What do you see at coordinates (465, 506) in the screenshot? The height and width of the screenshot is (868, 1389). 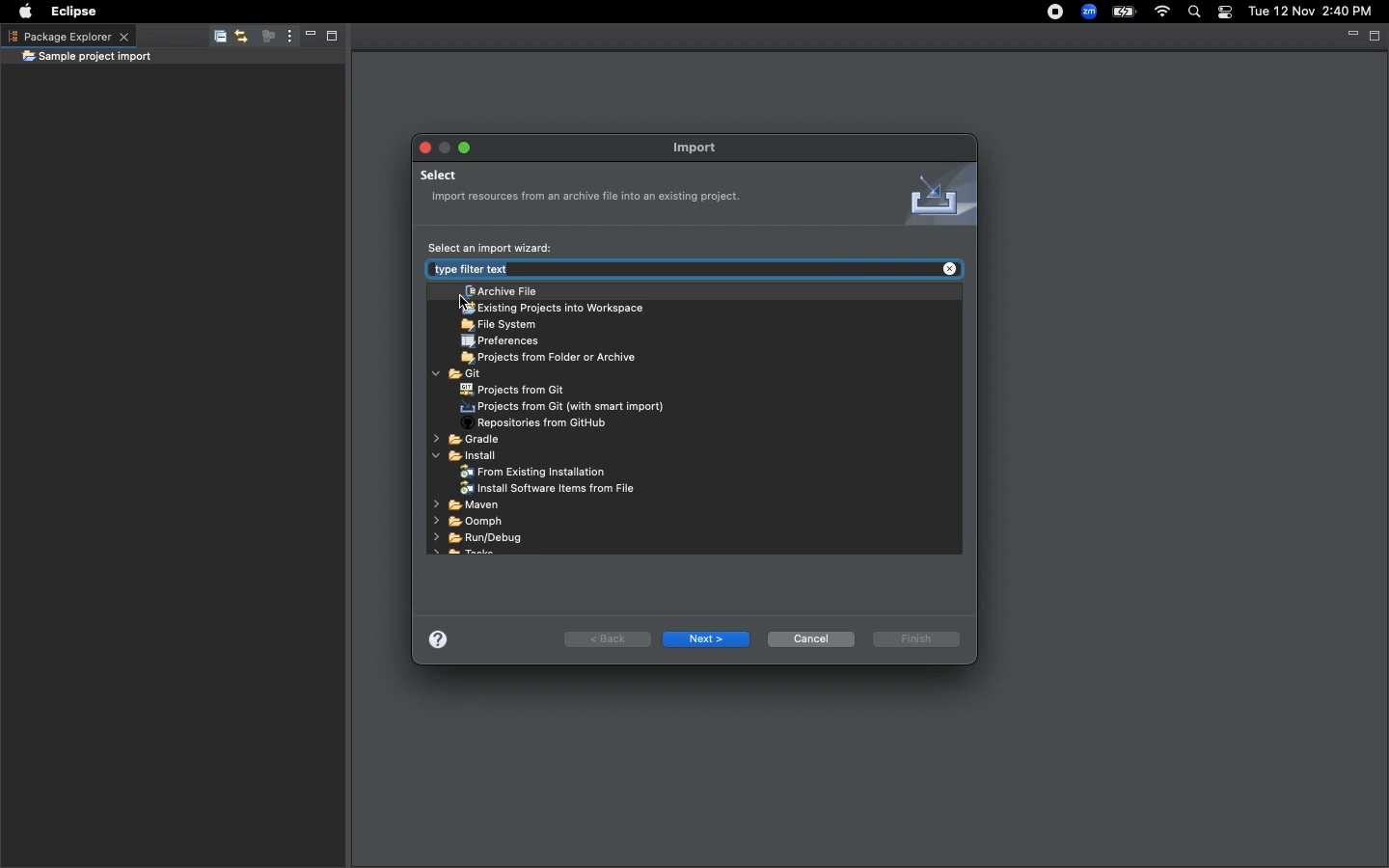 I see `Maven` at bounding box center [465, 506].